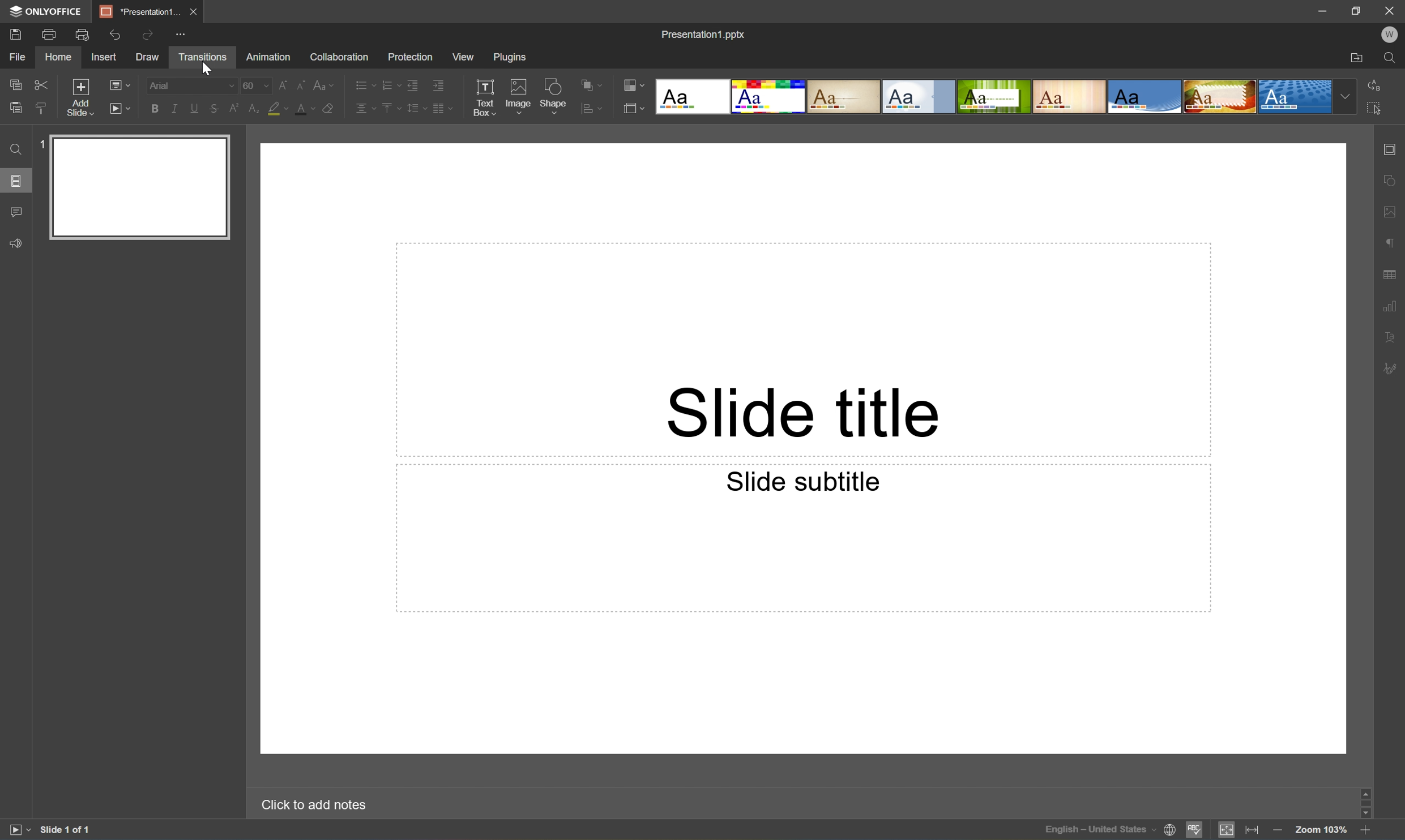 Image resolution: width=1405 pixels, height=840 pixels. What do you see at coordinates (147, 35) in the screenshot?
I see `Redo` at bounding box center [147, 35].